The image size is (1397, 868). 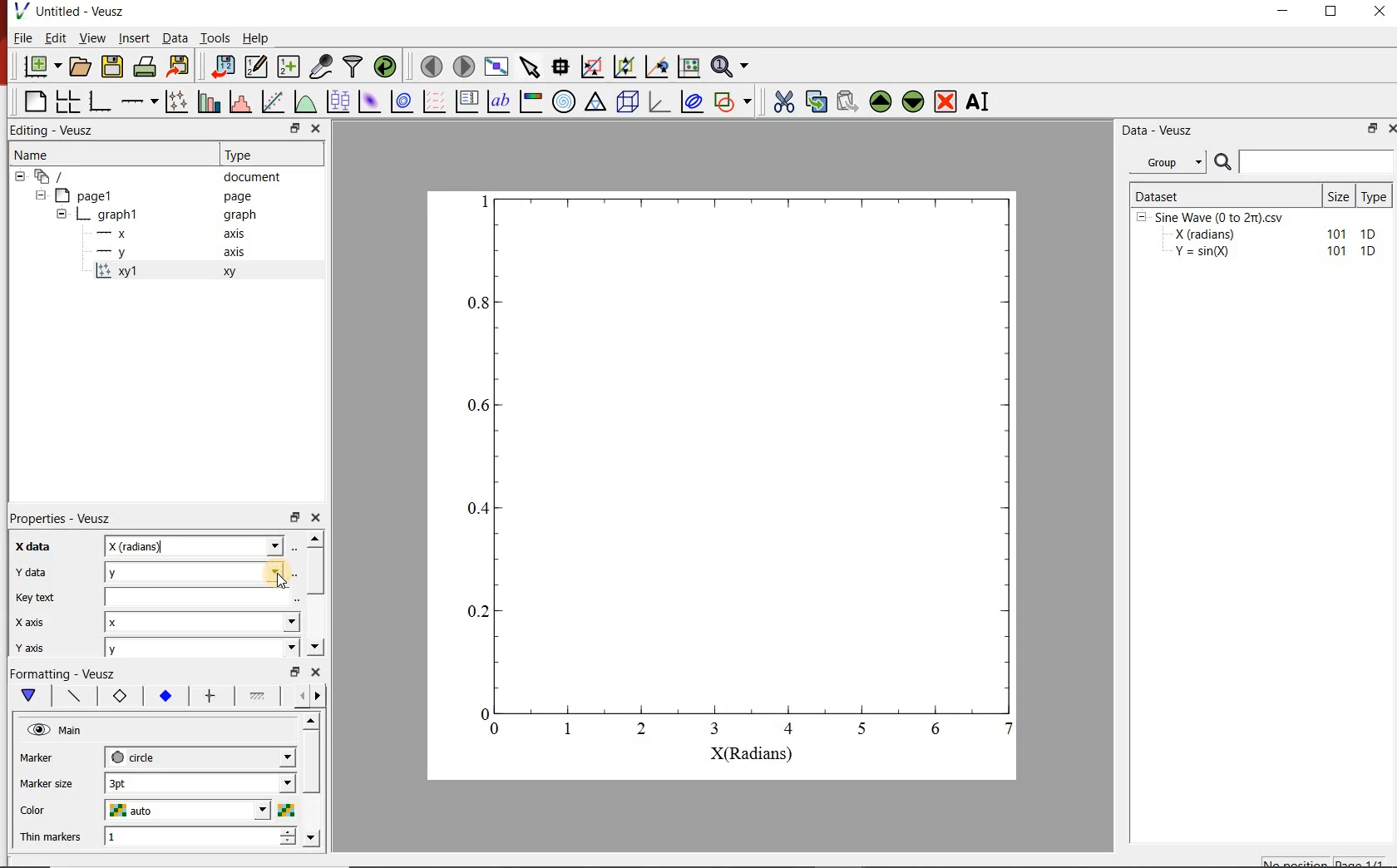 What do you see at coordinates (315, 572) in the screenshot?
I see `scrollbar` at bounding box center [315, 572].